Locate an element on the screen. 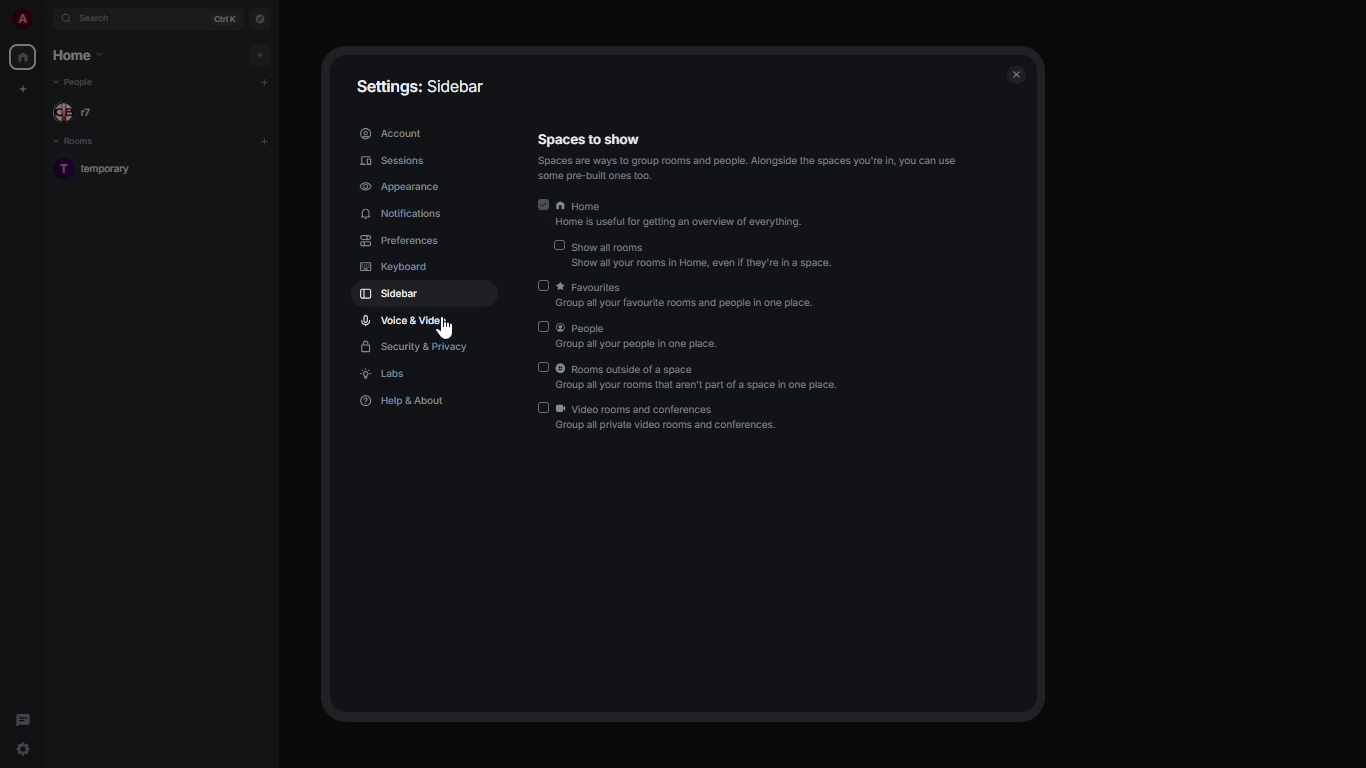 This screenshot has width=1366, height=768. threads is located at coordinates (21, 716).